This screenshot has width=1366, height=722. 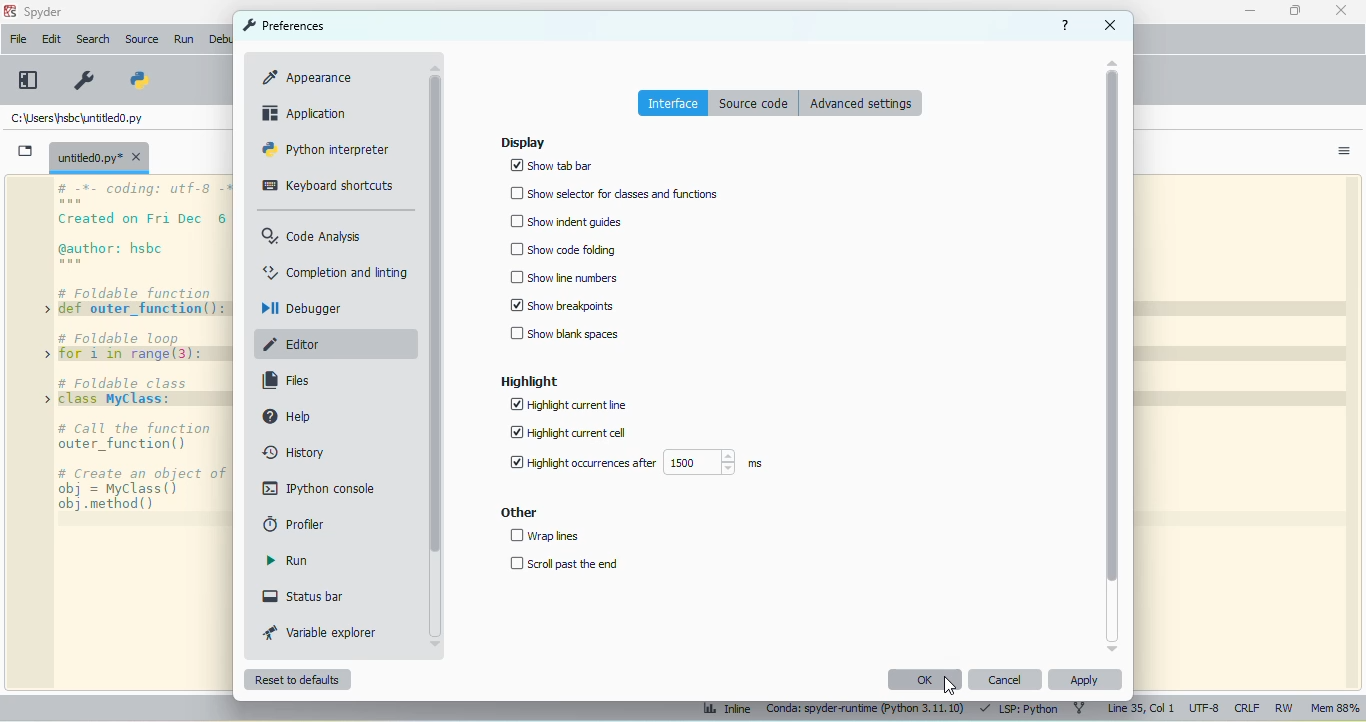 What do you see at coordinates (633, 462) in the screenshot?
I see `highlight occurrences after 1500 ms` at bounding box center [633, 462].